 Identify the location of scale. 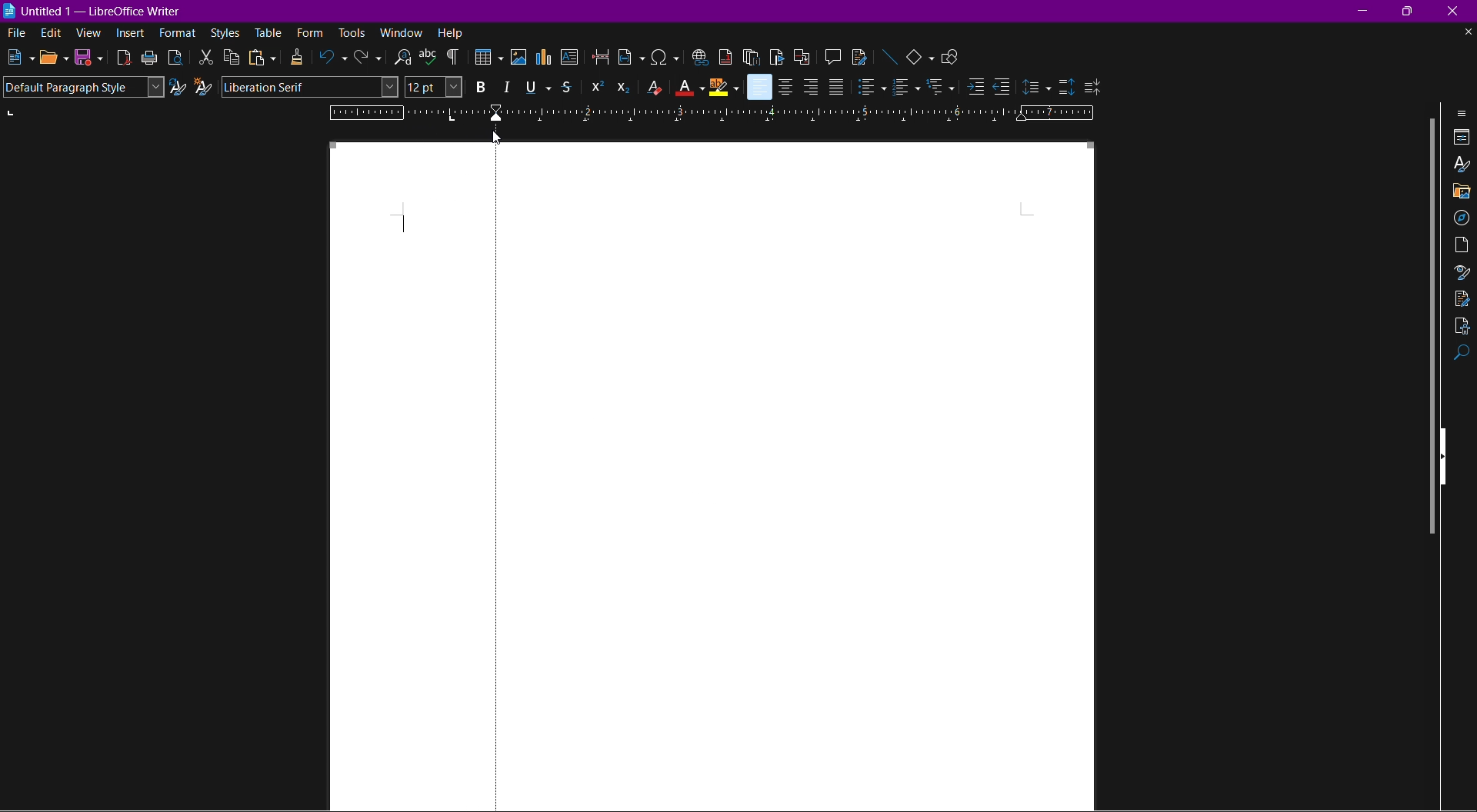
(402, 113).